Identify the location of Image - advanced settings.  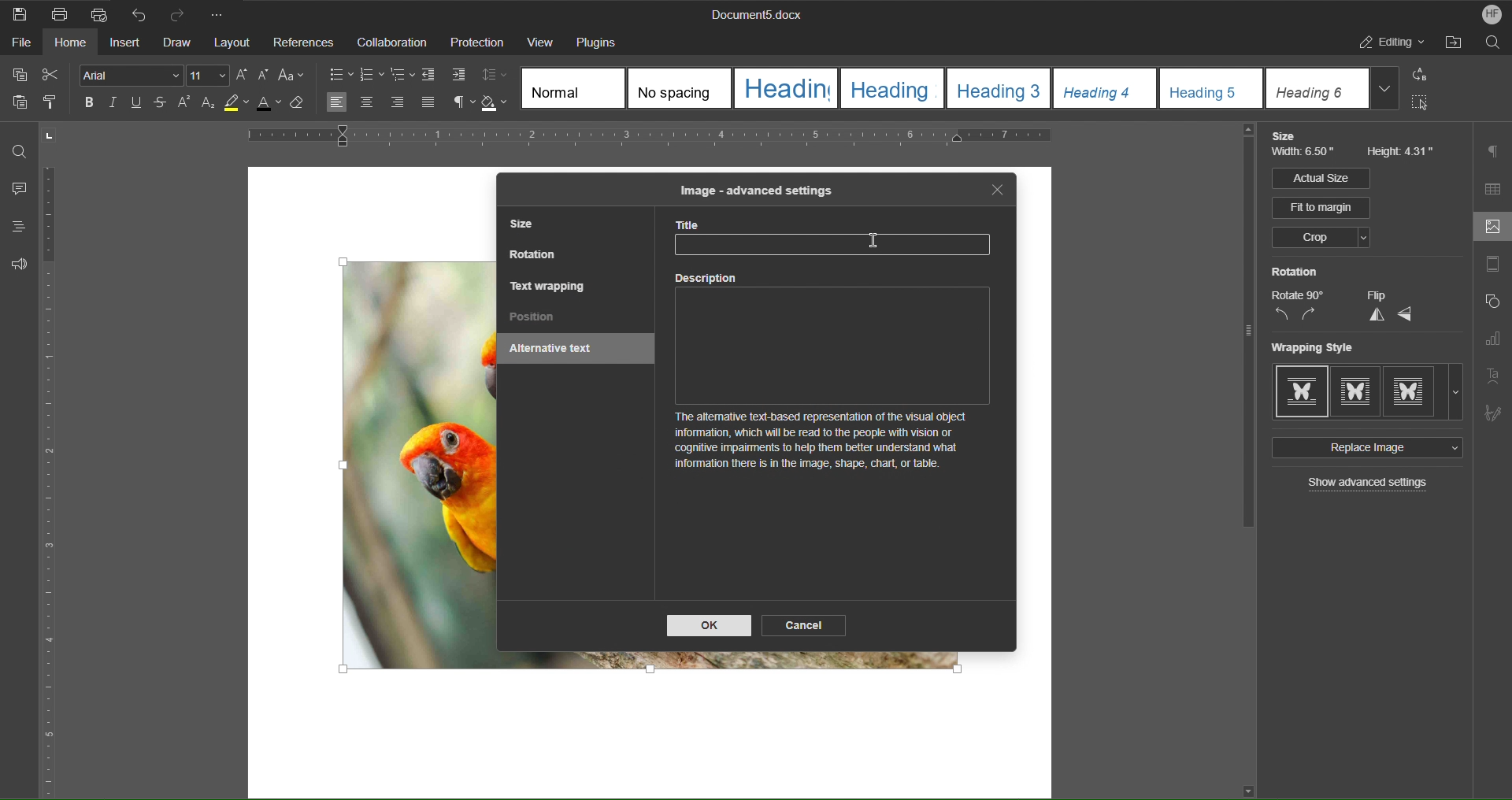
(754, 190).